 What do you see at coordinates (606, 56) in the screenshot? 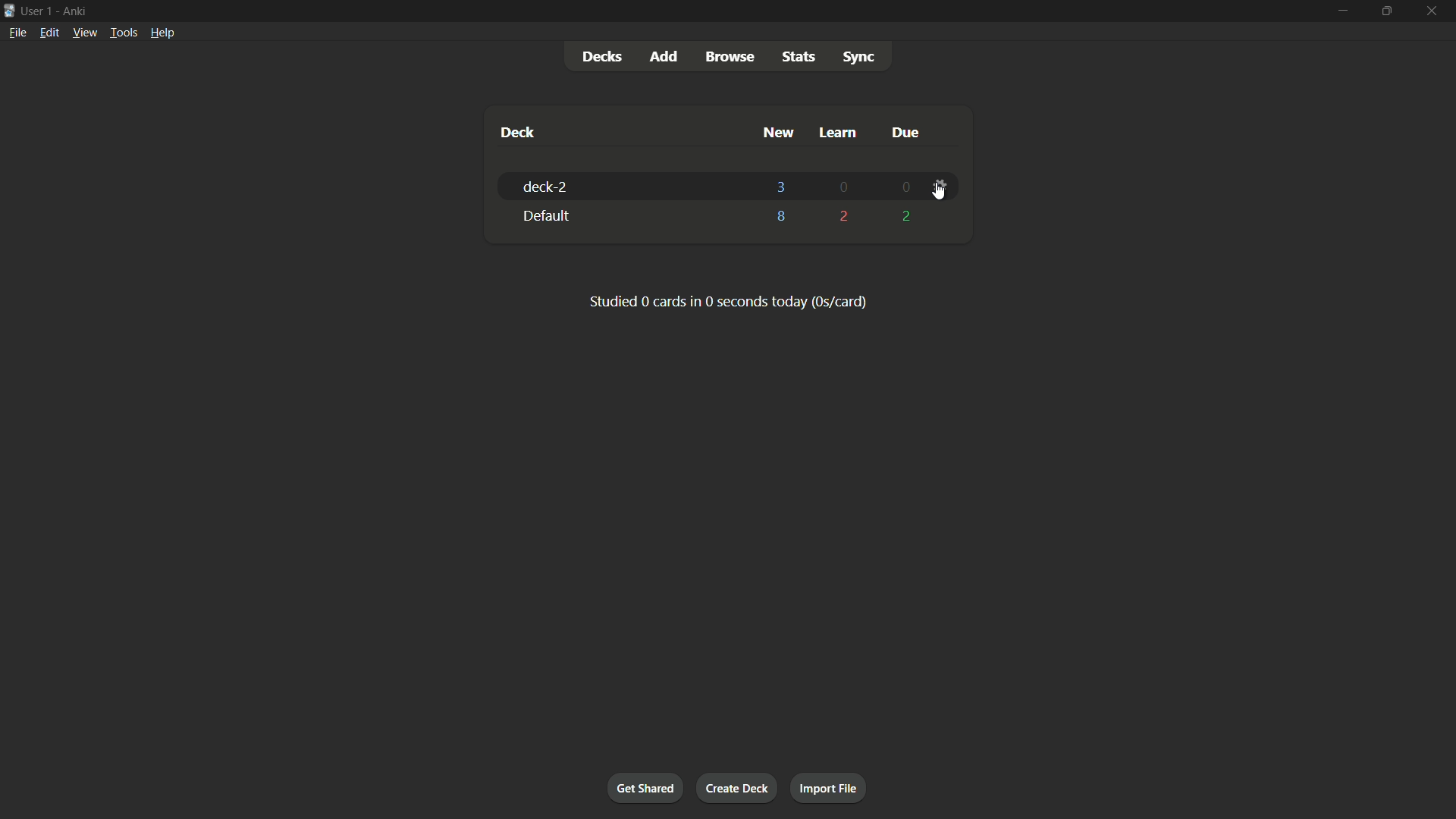
I see `decks` at bounding box center [606, 56].